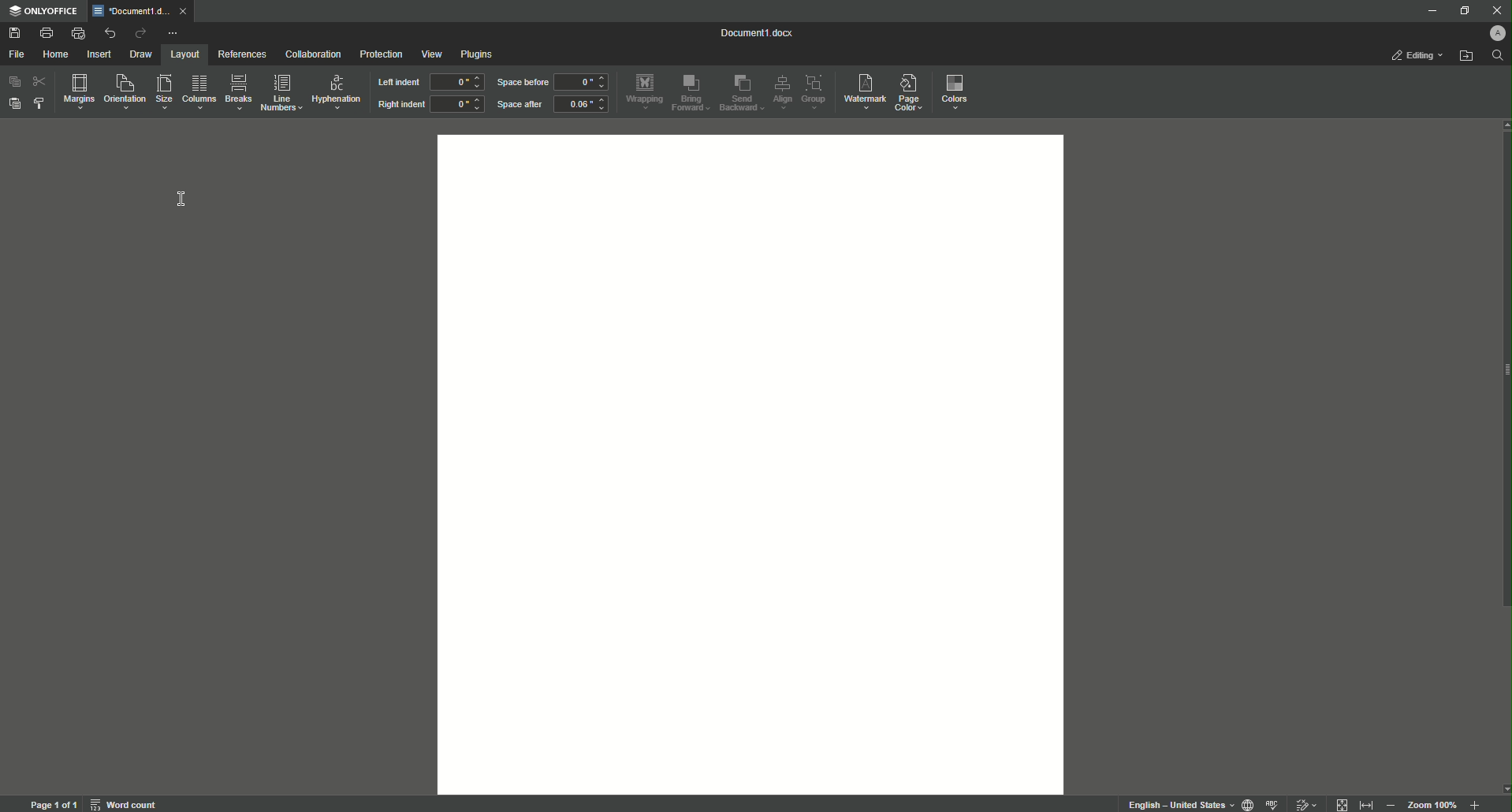  I want to click on Page 1 of 1, so click(51, 804).